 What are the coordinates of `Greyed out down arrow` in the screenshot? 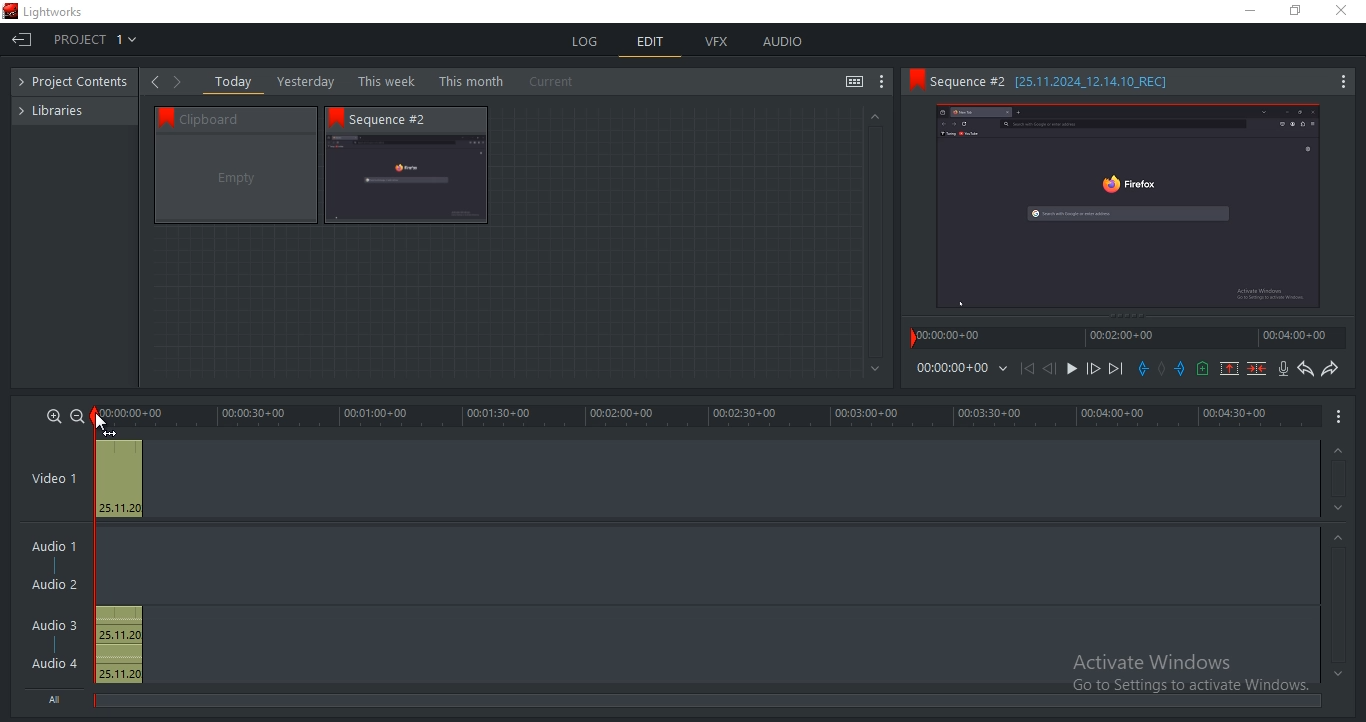 It's located at (876, 370).